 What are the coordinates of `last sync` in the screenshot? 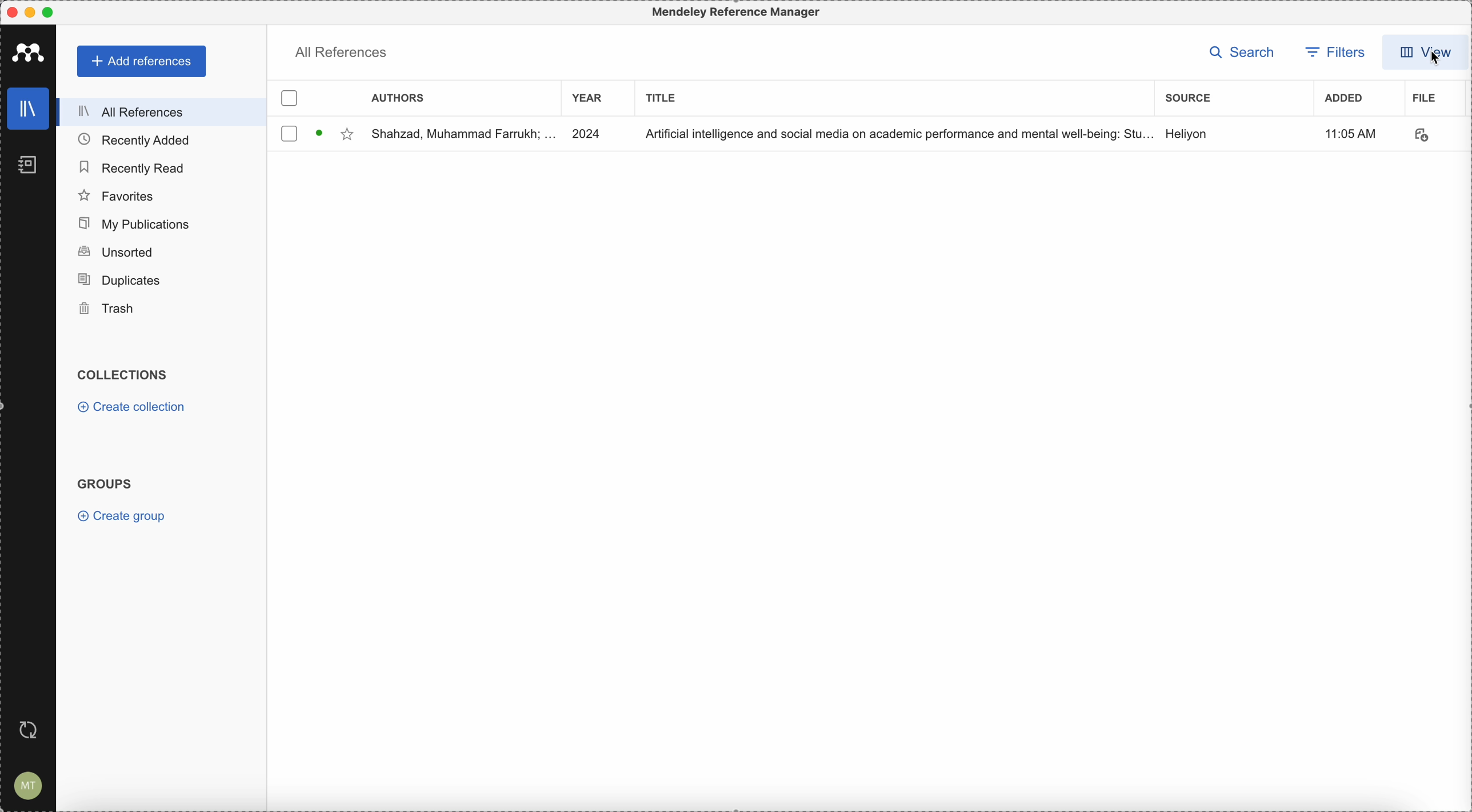 It's located at (33, 731).